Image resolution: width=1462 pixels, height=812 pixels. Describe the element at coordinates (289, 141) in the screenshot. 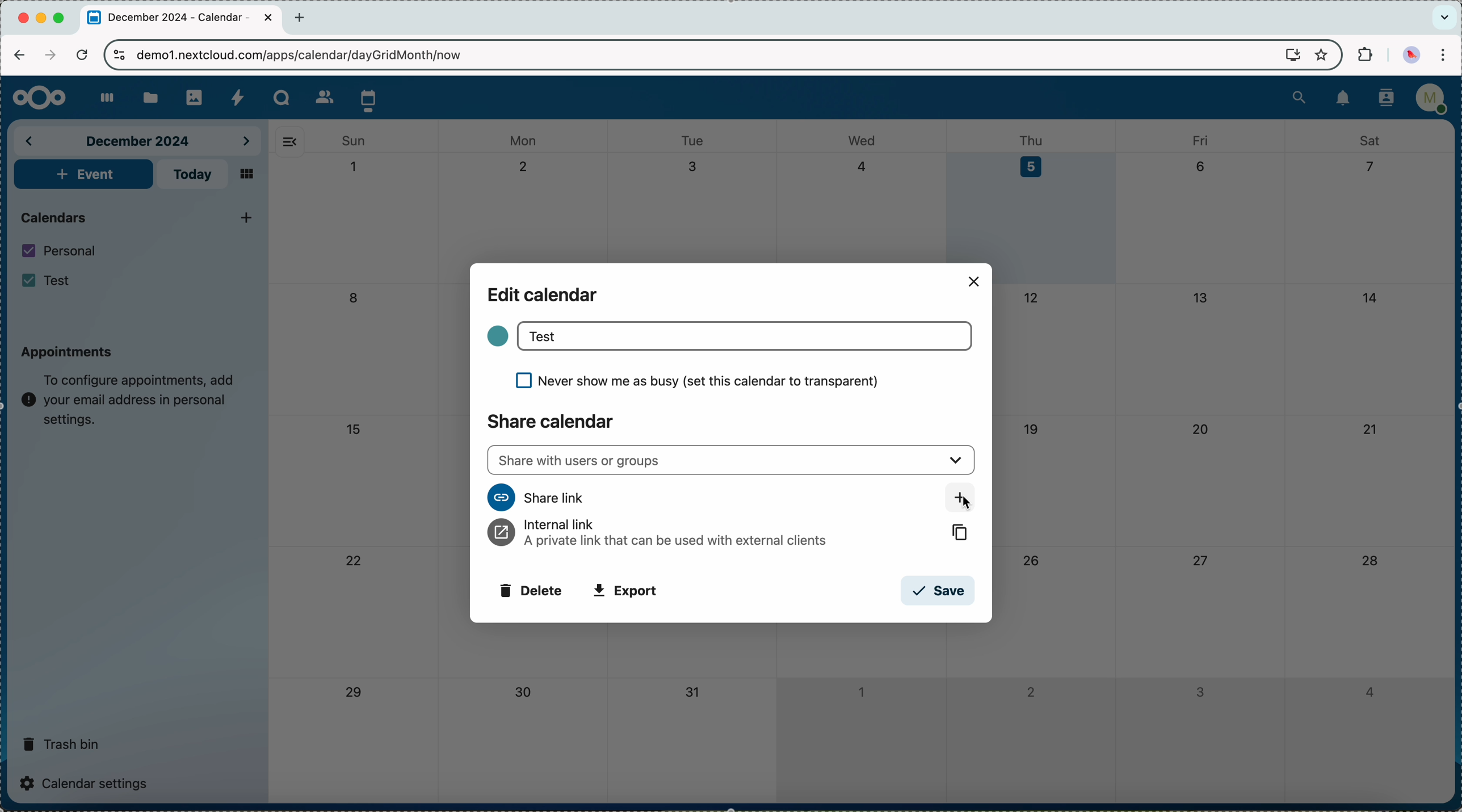

I see `hide side bar` at that location.